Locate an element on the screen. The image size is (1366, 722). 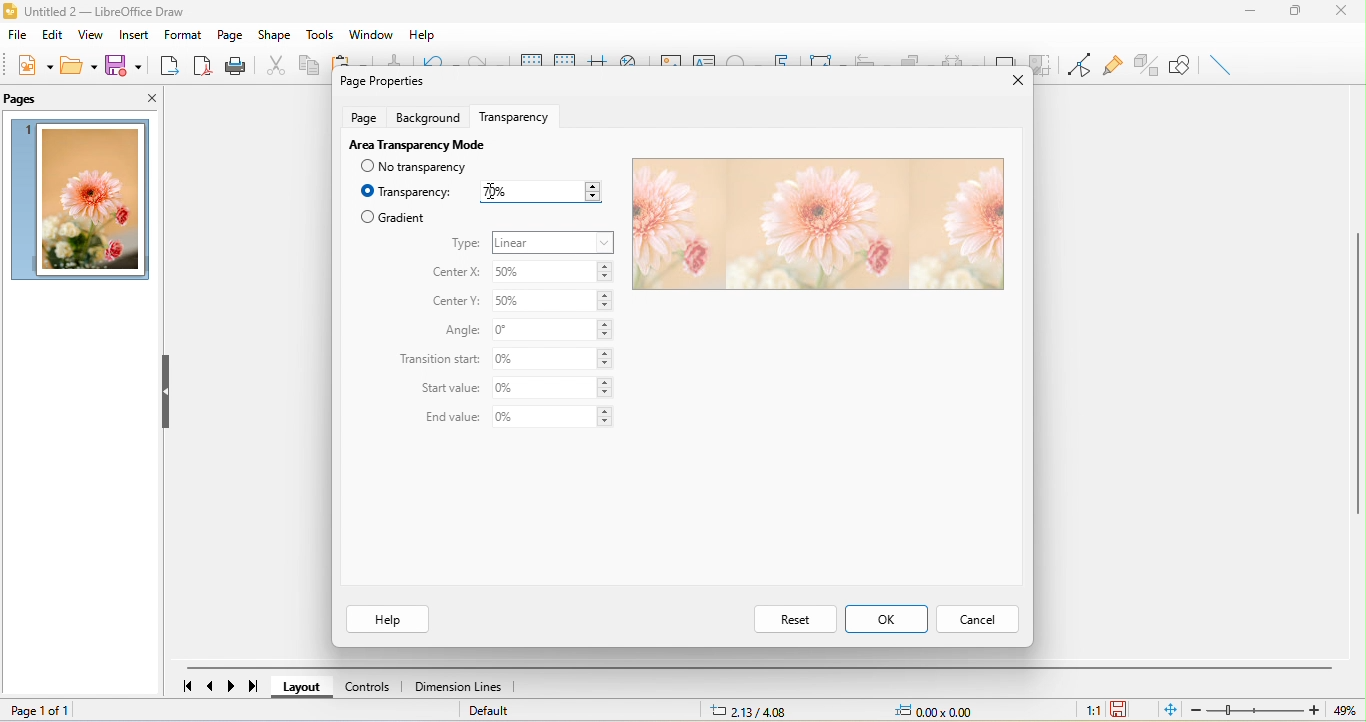
page is located at coordinates (232, 34).